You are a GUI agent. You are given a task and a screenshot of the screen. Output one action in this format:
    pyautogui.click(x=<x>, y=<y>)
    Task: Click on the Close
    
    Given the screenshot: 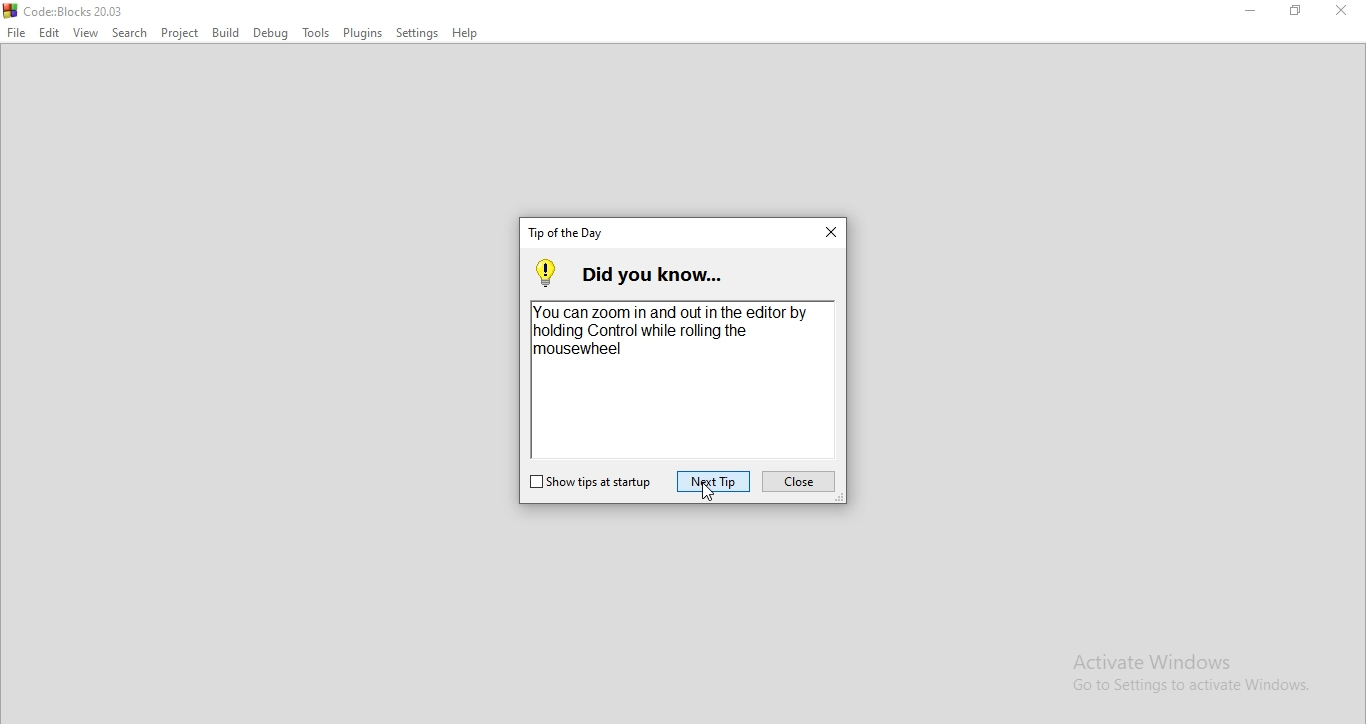 What is the action you would take?
    pyautogui.click(x=1341, y=10)
    